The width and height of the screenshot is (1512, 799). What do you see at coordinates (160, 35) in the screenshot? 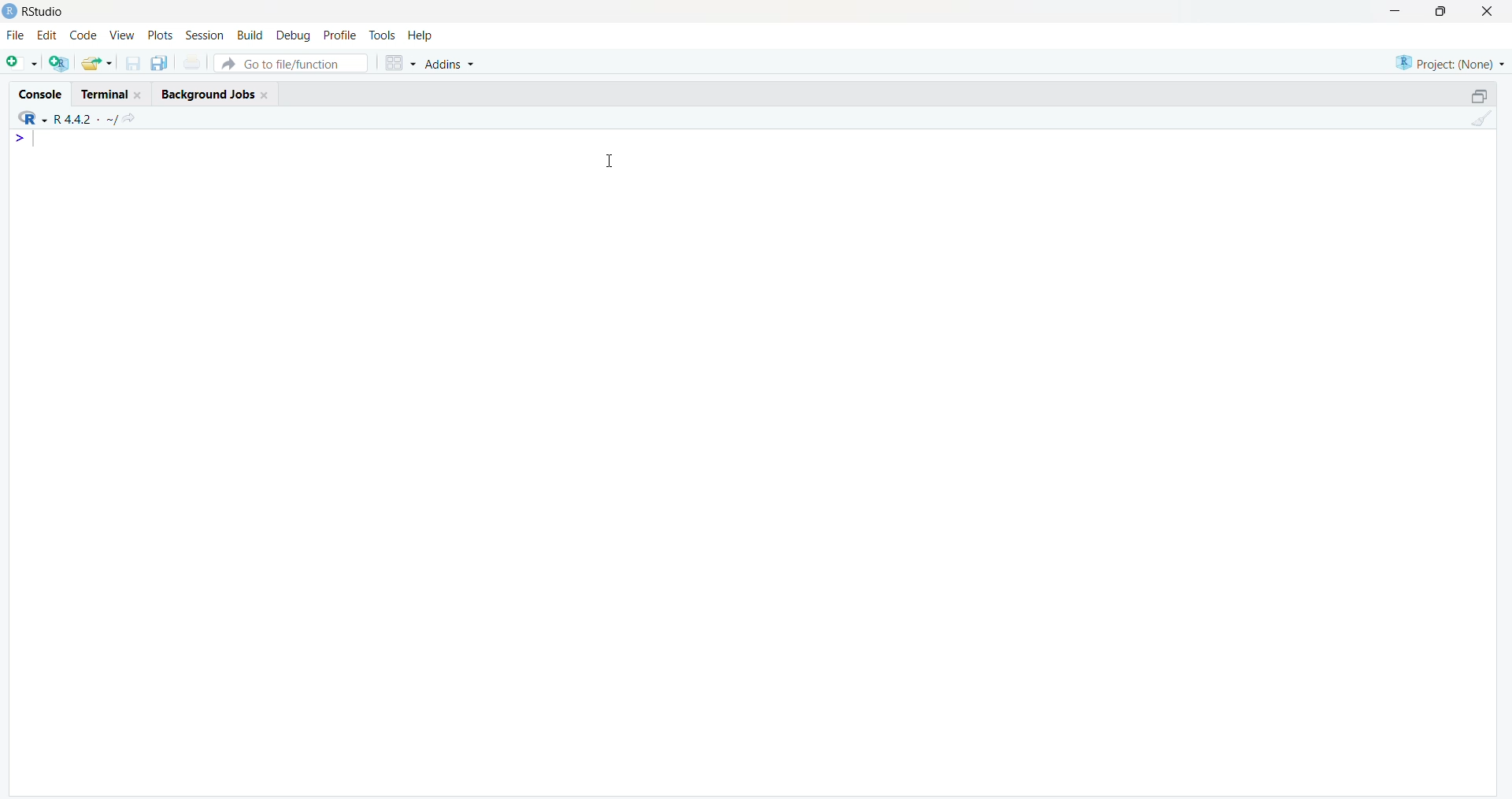
I see `plots` at bounding box center [160, 35].